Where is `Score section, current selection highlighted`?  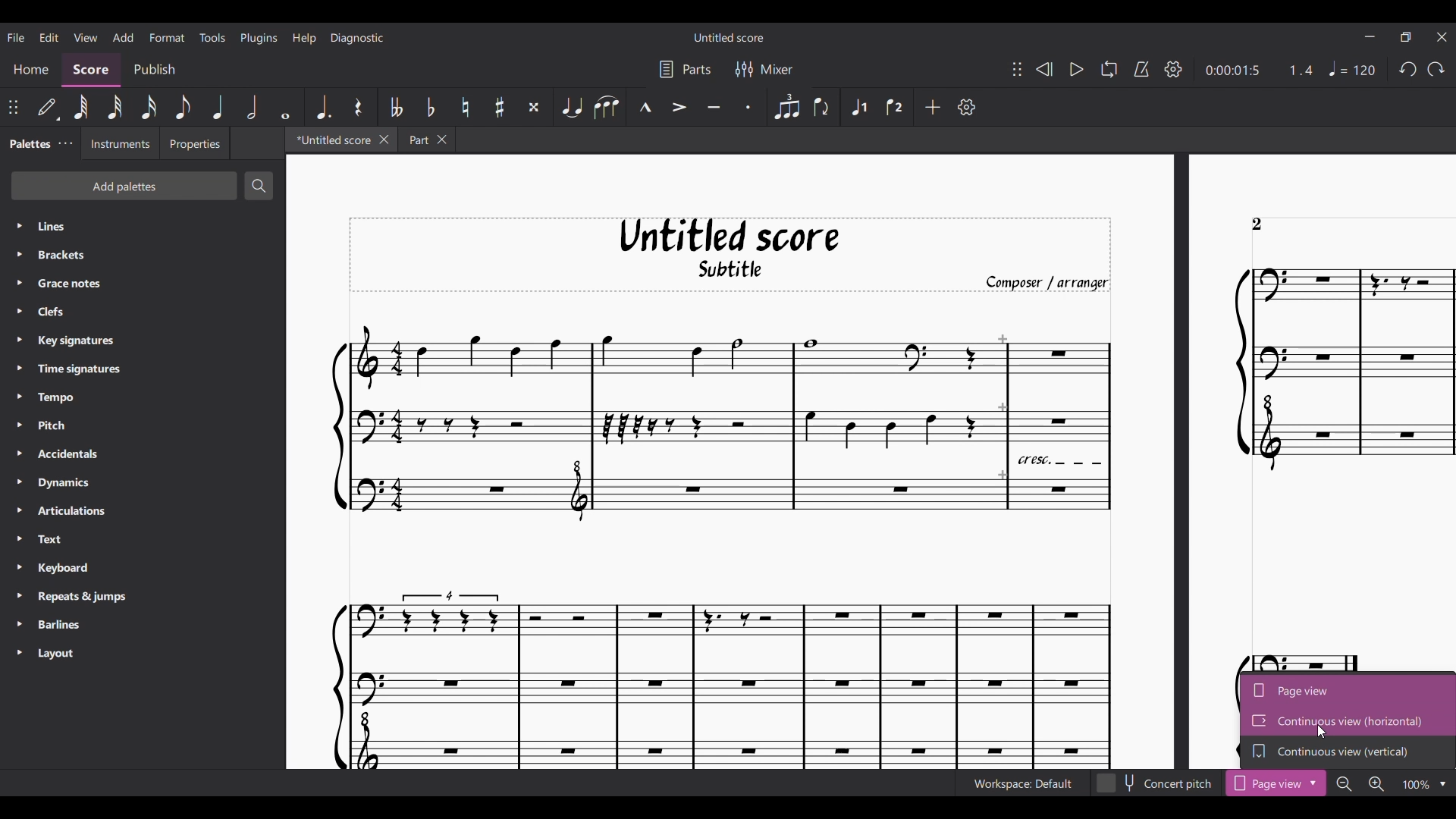
Score section, current selection highlighted is located at coordinates (91, 71).